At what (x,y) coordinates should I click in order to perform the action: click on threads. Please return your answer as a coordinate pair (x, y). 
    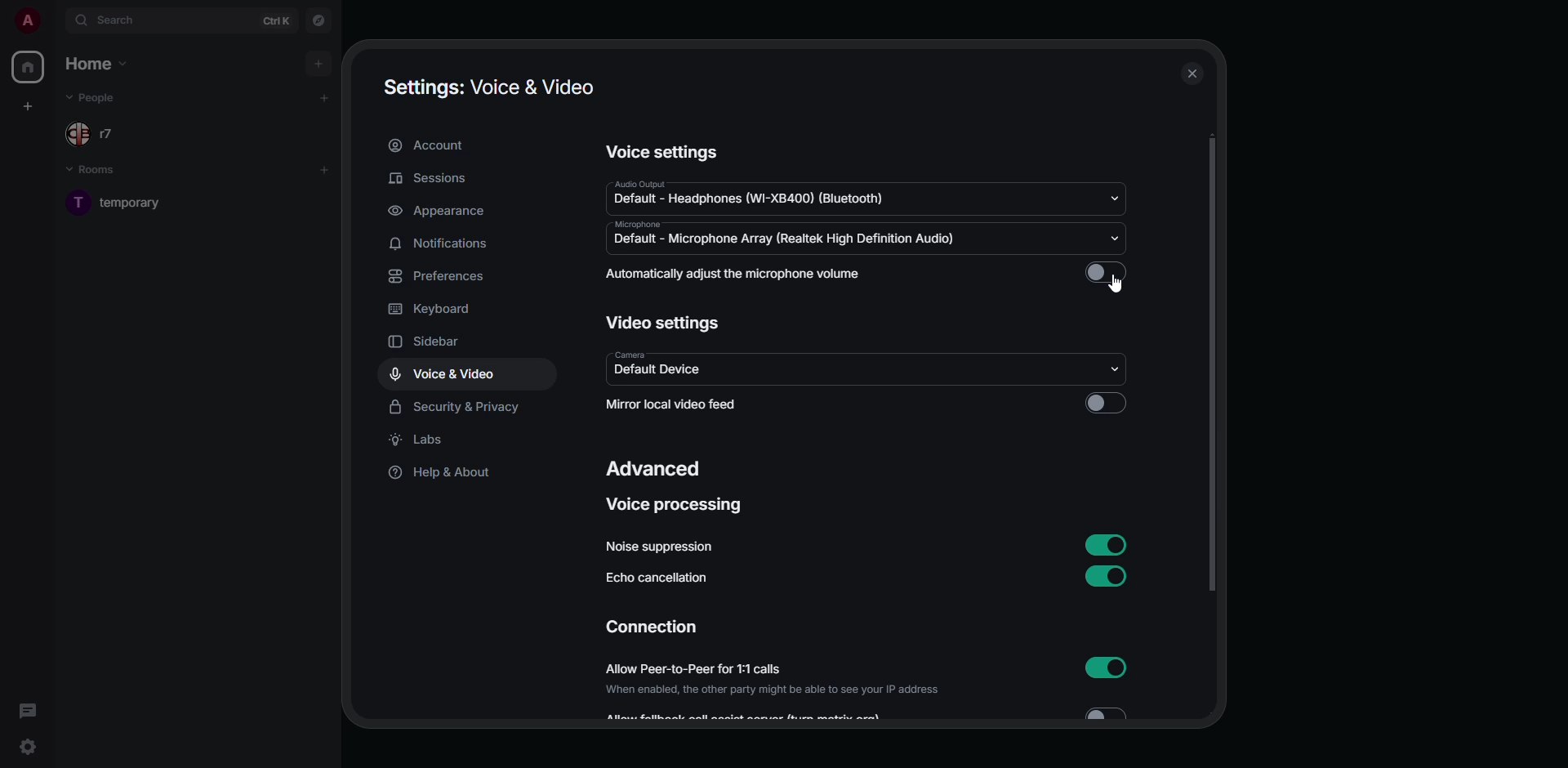
    Looking at the image, I should click on (29, 711).